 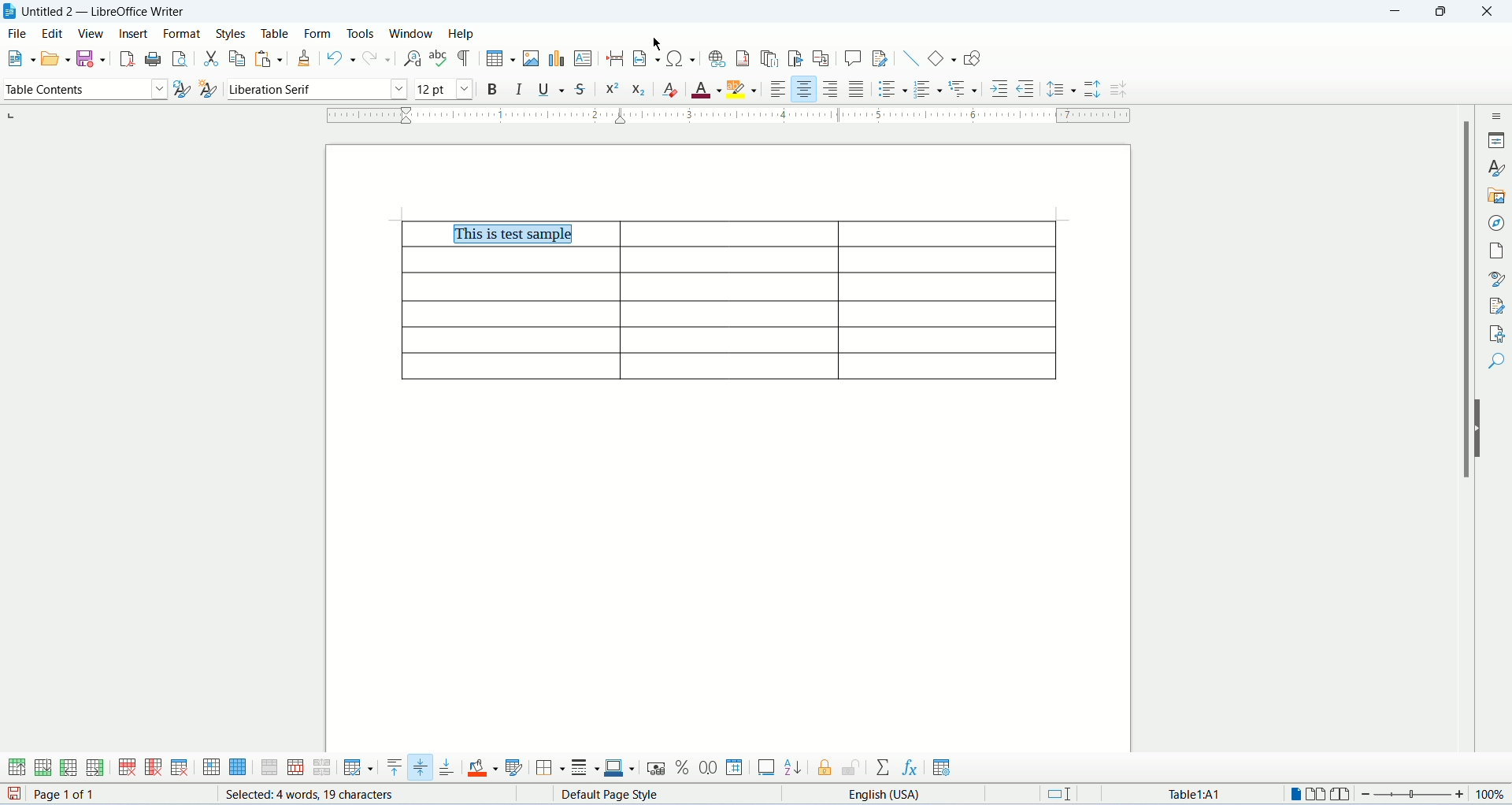 I want to click on navigator, so click(x=1497, y=221).